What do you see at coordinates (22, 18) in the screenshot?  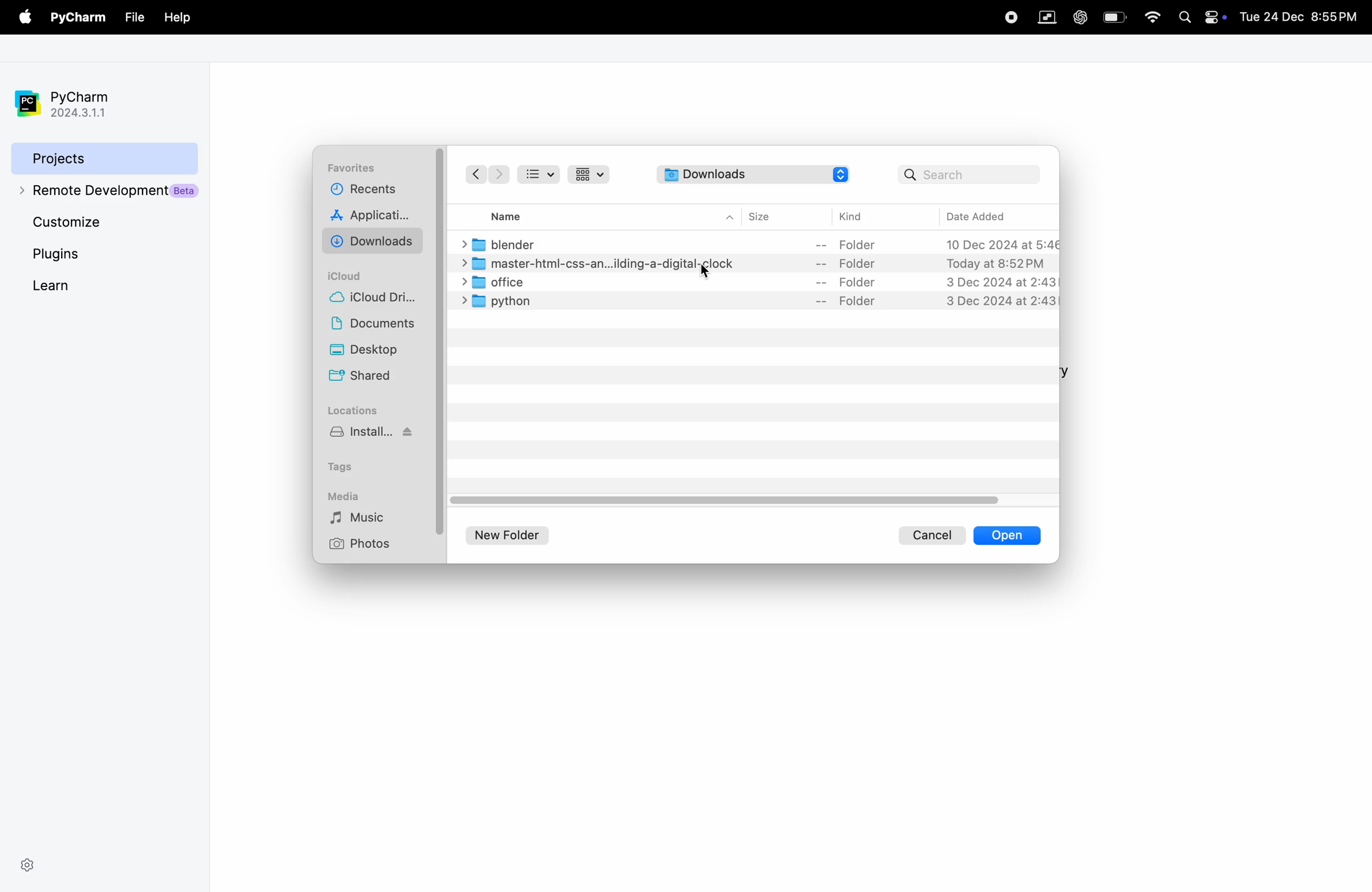 I see `apple menu` at bounding box center [22, 18].